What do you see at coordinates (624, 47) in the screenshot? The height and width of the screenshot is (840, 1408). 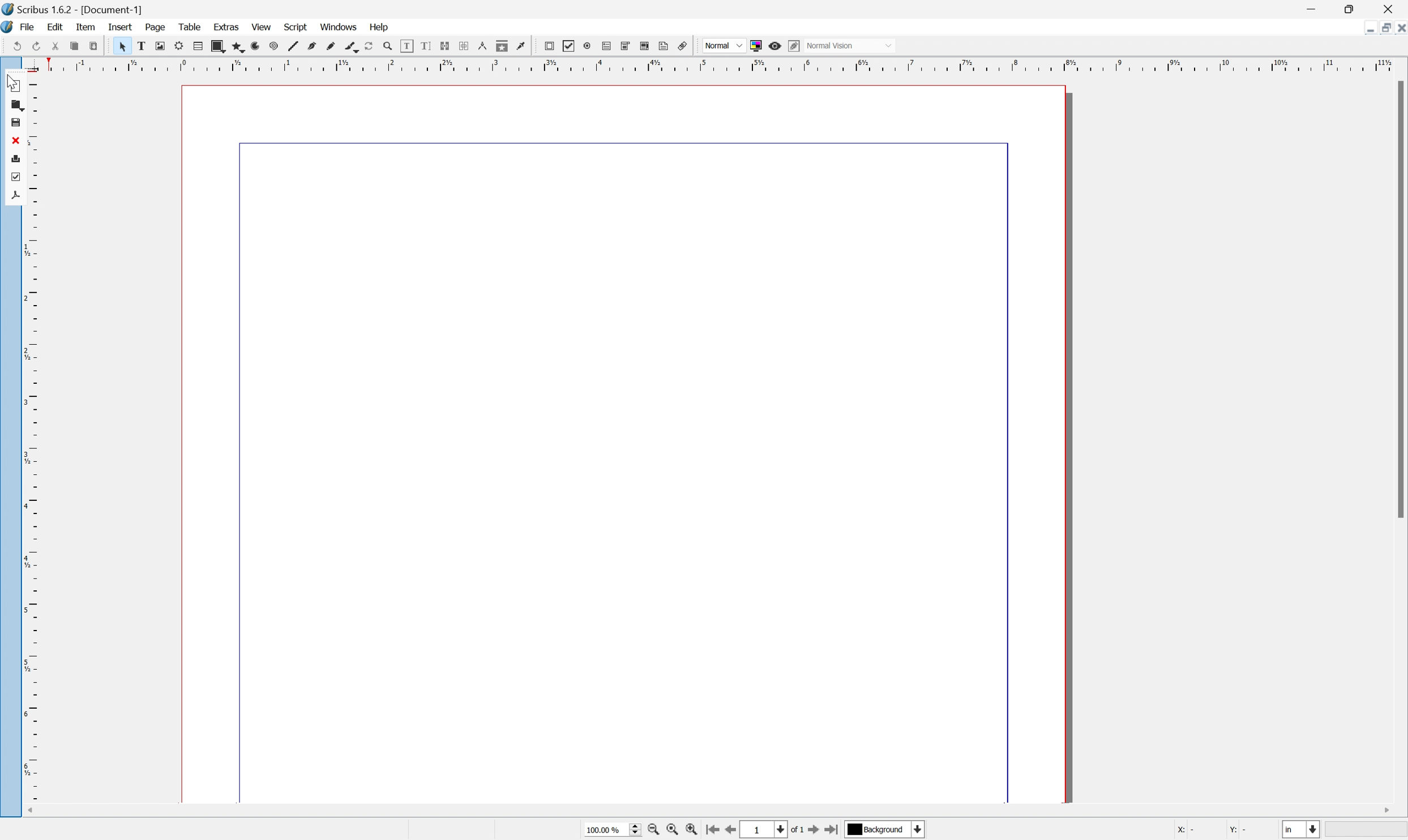 I see `measurements` at bounding box center [624, 47].